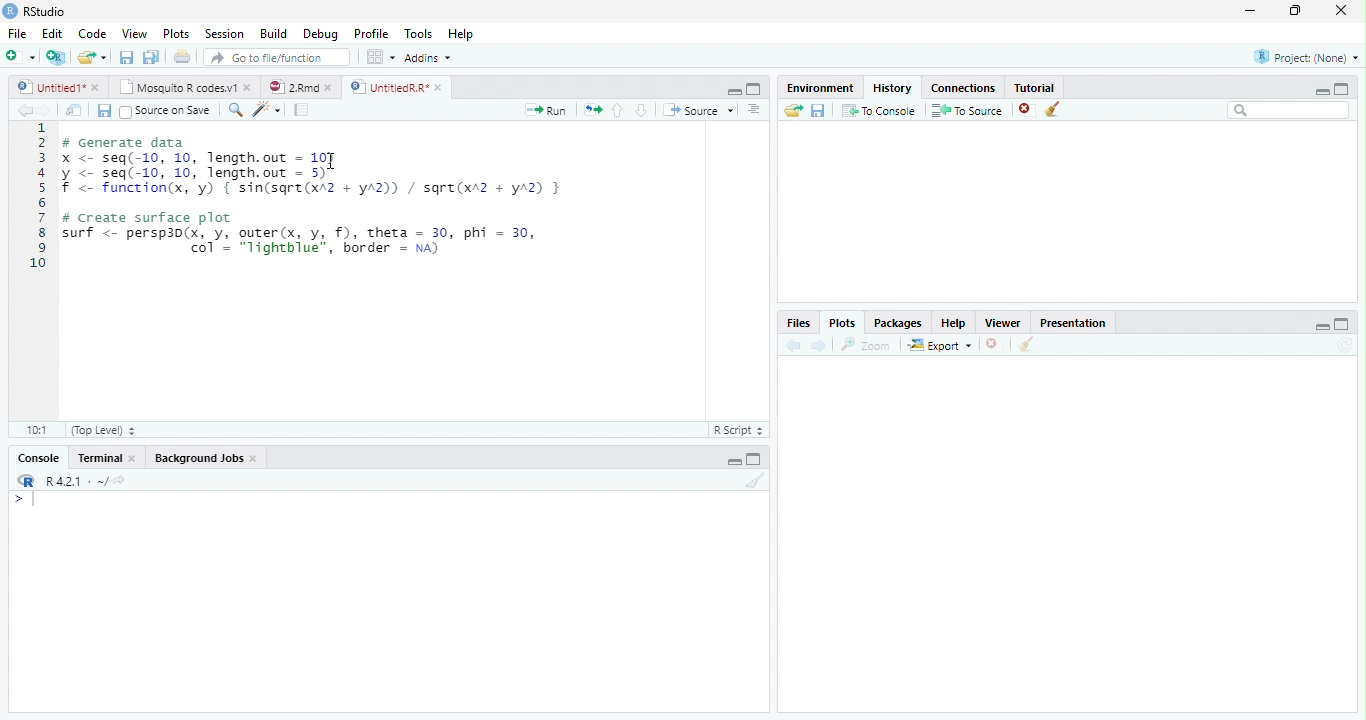 The height and width of the screenshot is (720, 1366). What do you see at coordinates (223, 34) in the screenshot?
I see `Session` at bounding box center [223, 34].